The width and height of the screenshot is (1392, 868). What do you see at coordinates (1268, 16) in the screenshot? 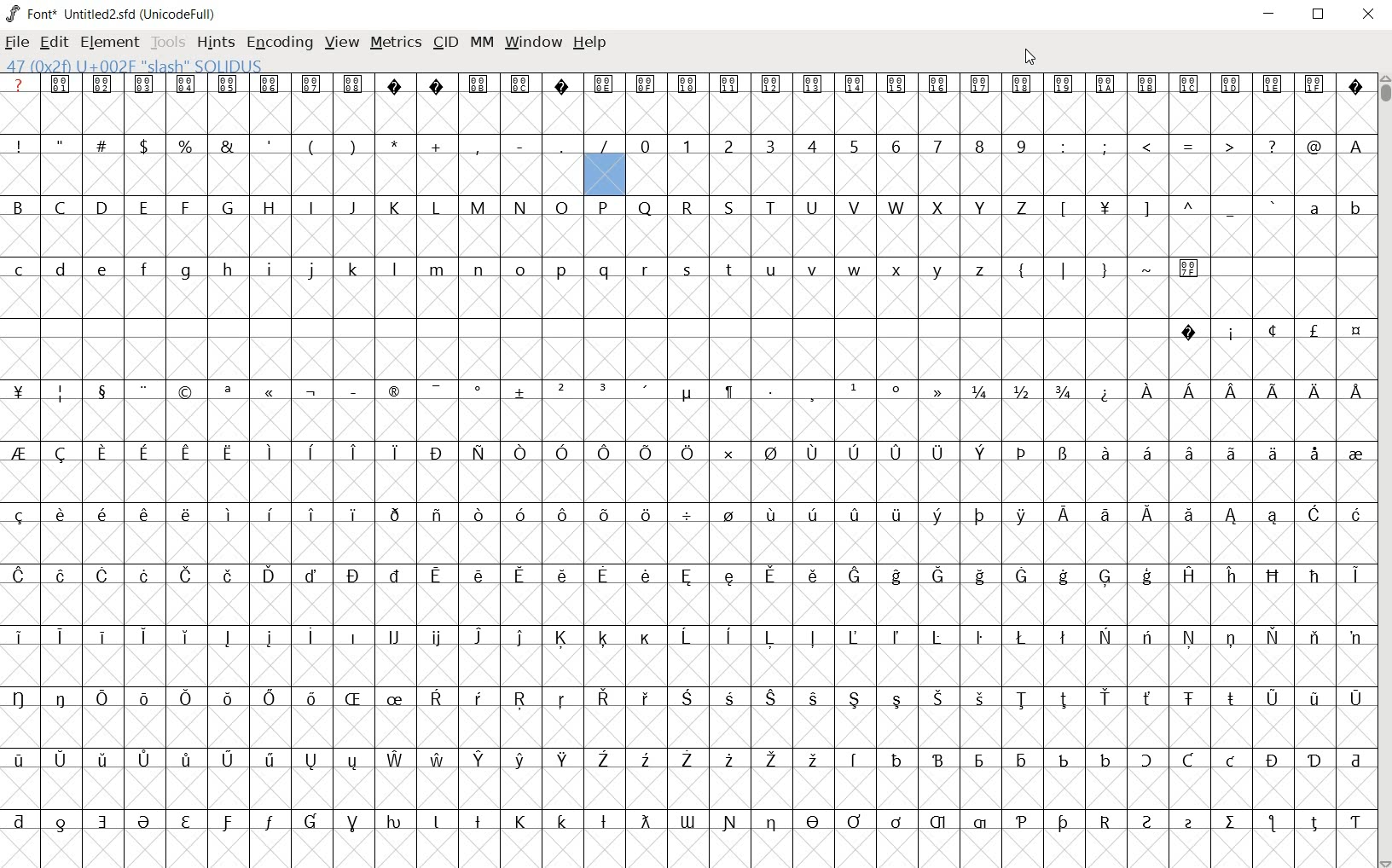
I see `MINIMIZE` at bounding box center [1268, 16].